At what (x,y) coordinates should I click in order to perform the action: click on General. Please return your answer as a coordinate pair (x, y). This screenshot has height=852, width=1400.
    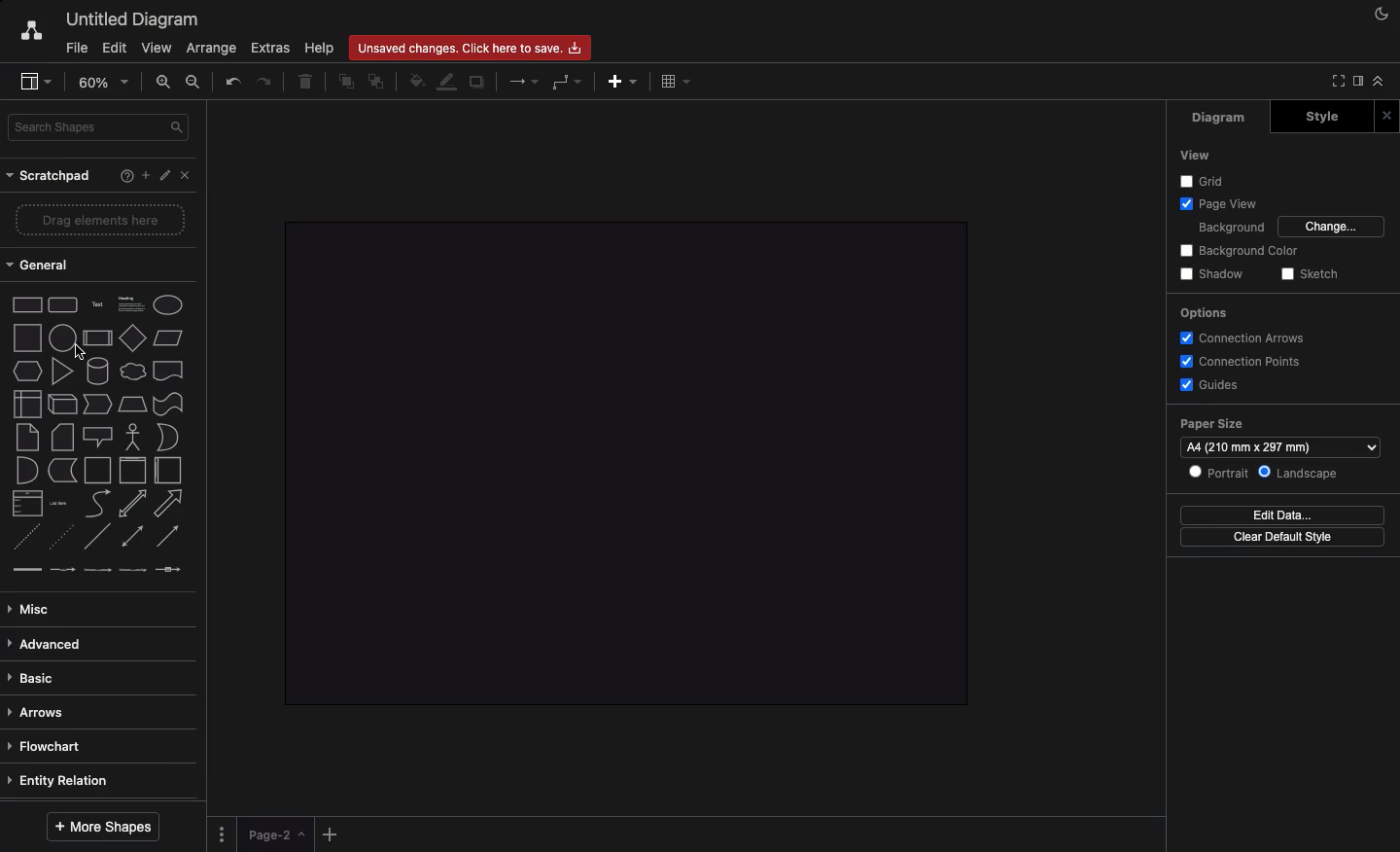
    Looking at the image, I should click on (46, 267).